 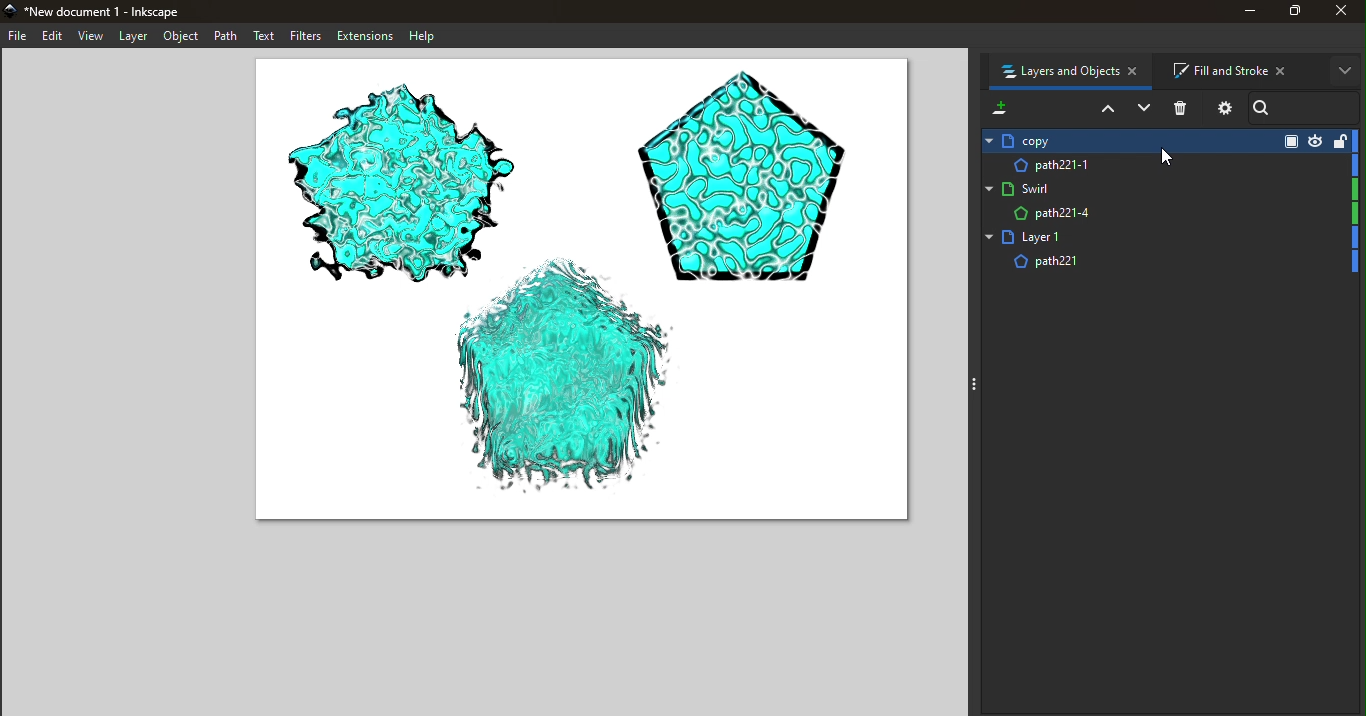 I want to click on Opacity, so click(x=1288, y=140).